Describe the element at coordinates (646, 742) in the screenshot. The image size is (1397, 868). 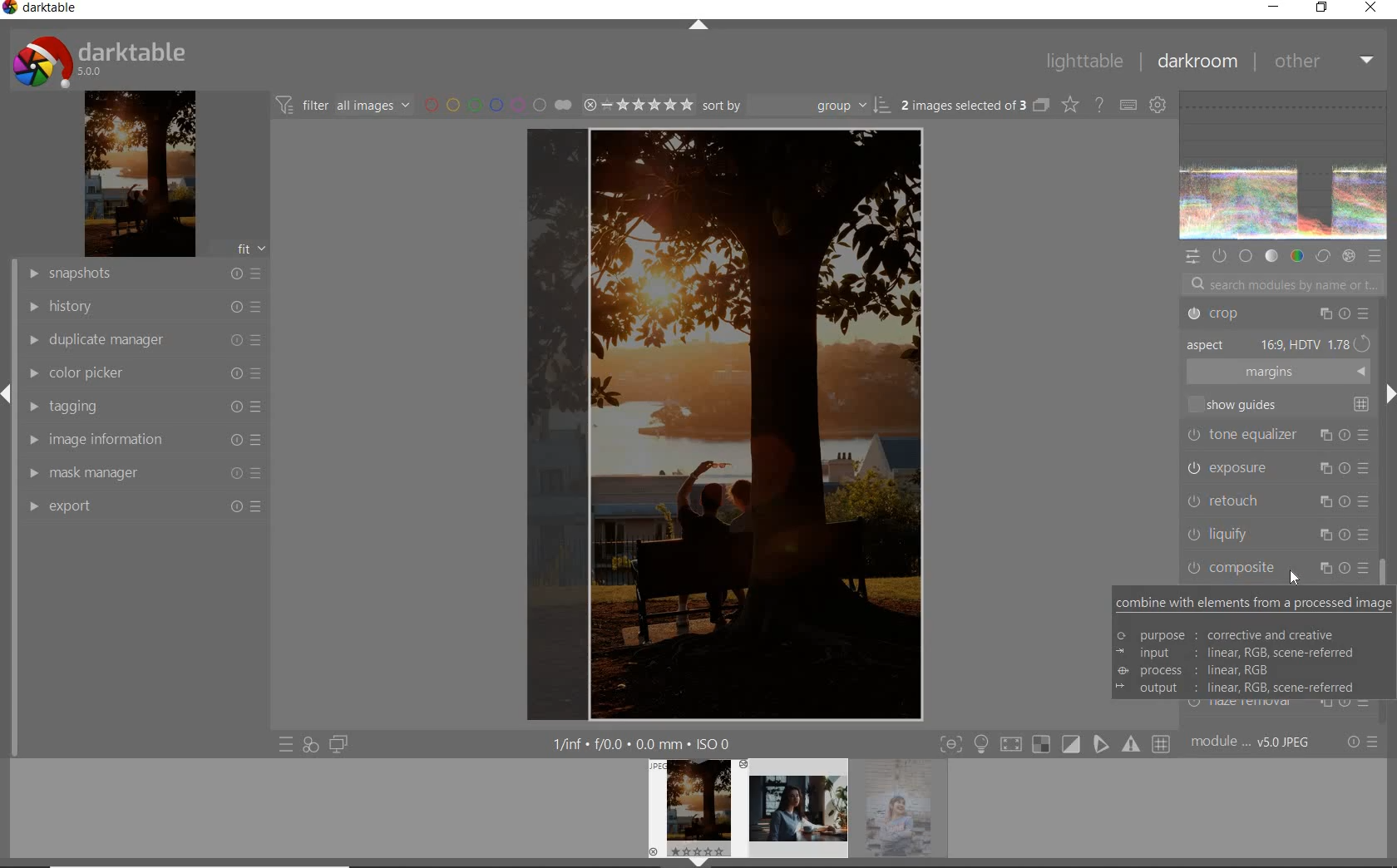
I see `other interface detail` at that location.